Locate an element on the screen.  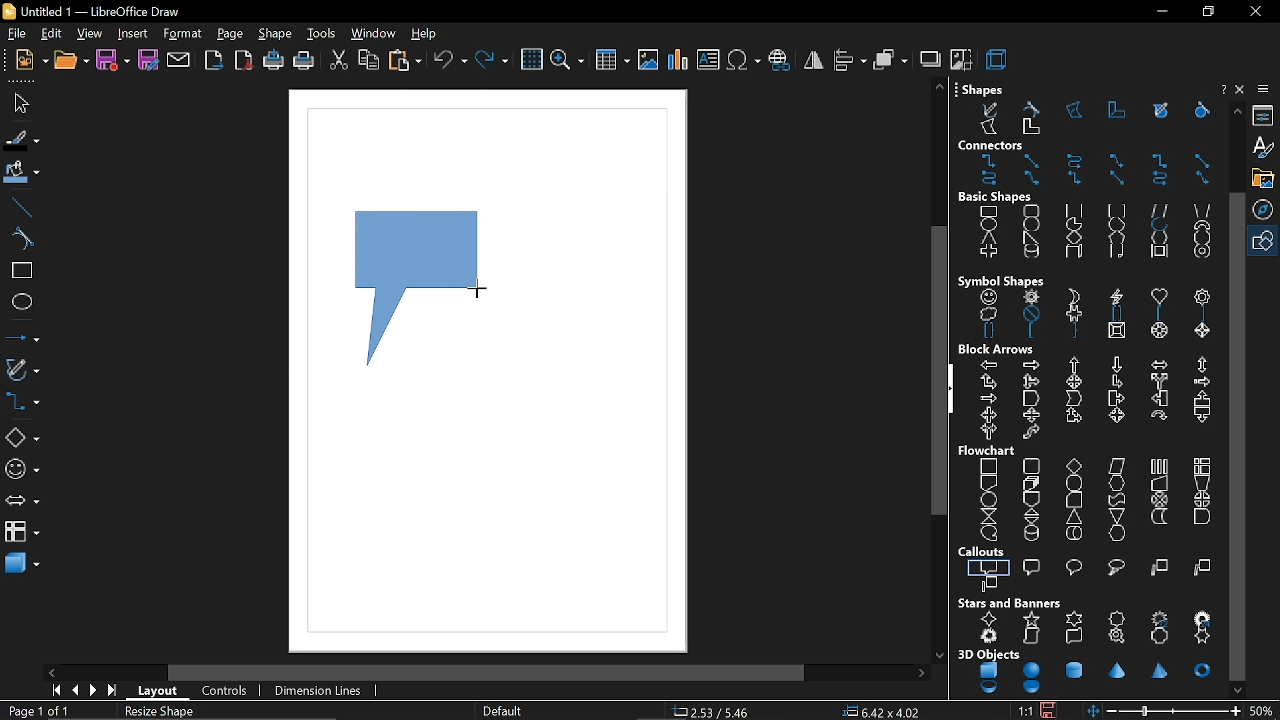
open is located at coordinates (70, 63).